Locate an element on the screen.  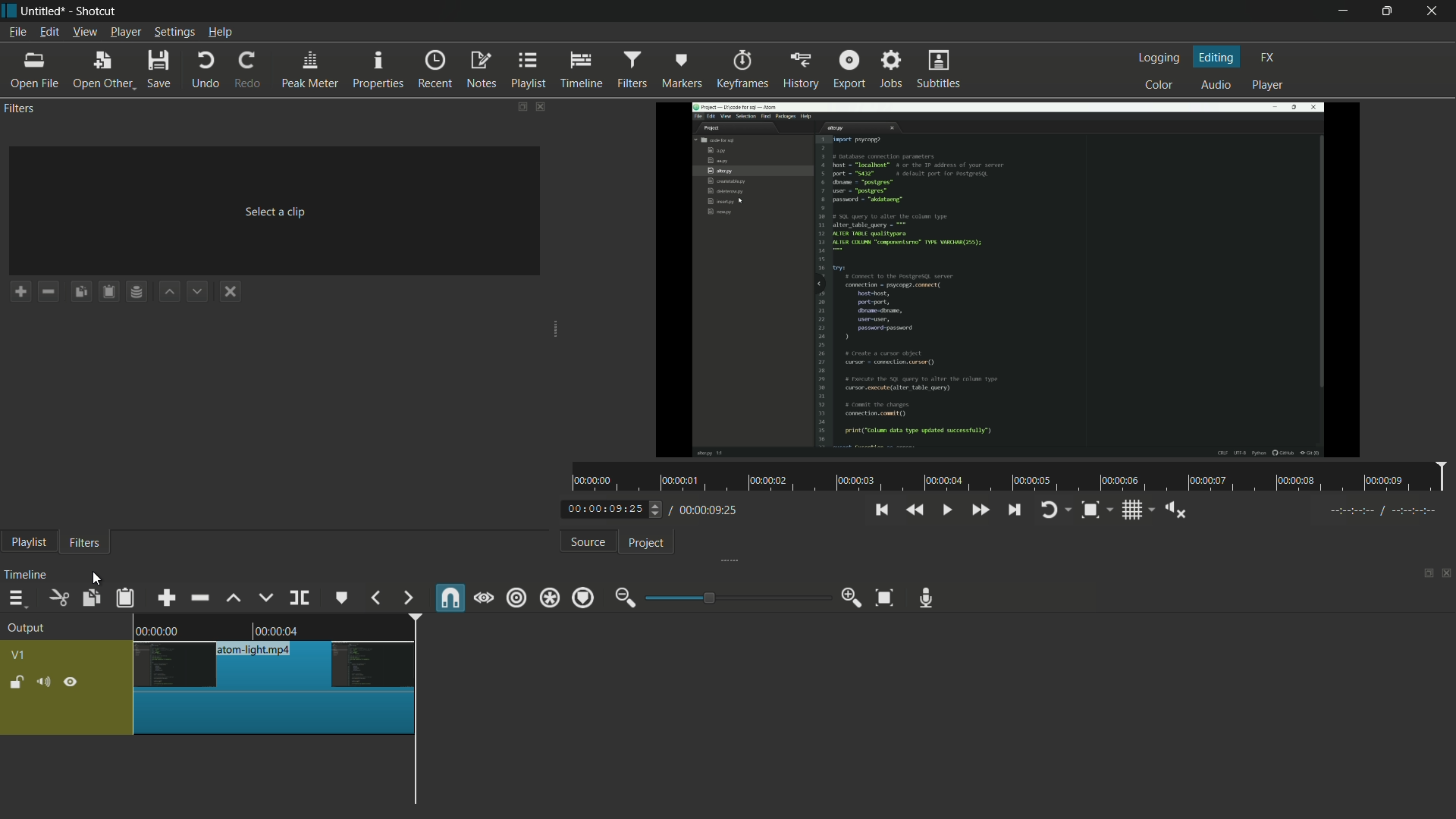
toggle player looping is located at coordinates (1056, 510).